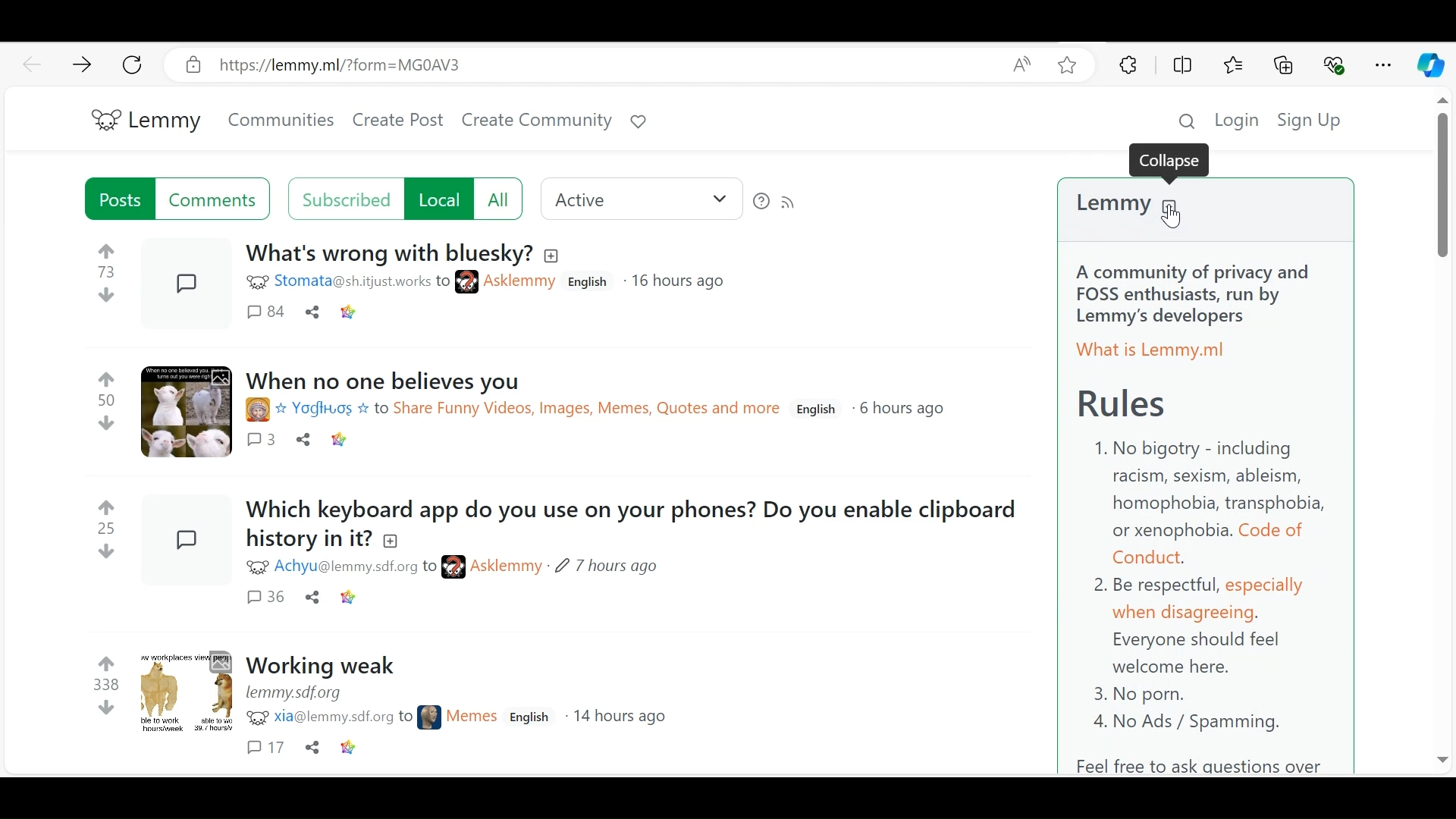 The height and width of the screenshot is (819, 1456). What do you see at coordinates (349, 312) in the screenshot?
I see `link` at bounding box center [349, 312].